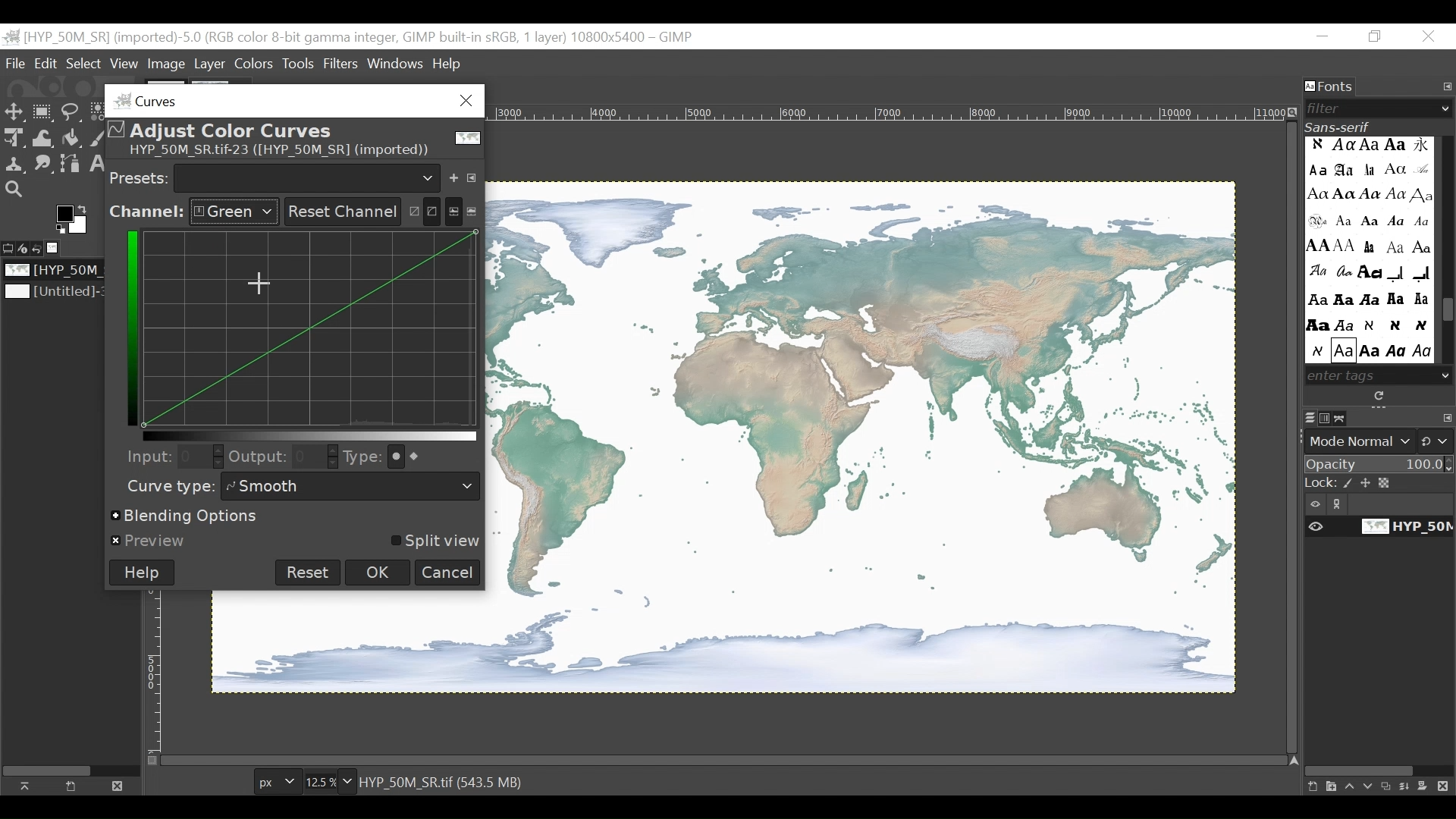 The image size is (1456, 819). What do you see at coordinates (350, 36) in the screenshot?
I see `untitled -36.0 (rgb color 8-bit gamma integer , gimp built in stgb, 1 layer) 1174x788 - gimp` at bounding box center [350, 36].